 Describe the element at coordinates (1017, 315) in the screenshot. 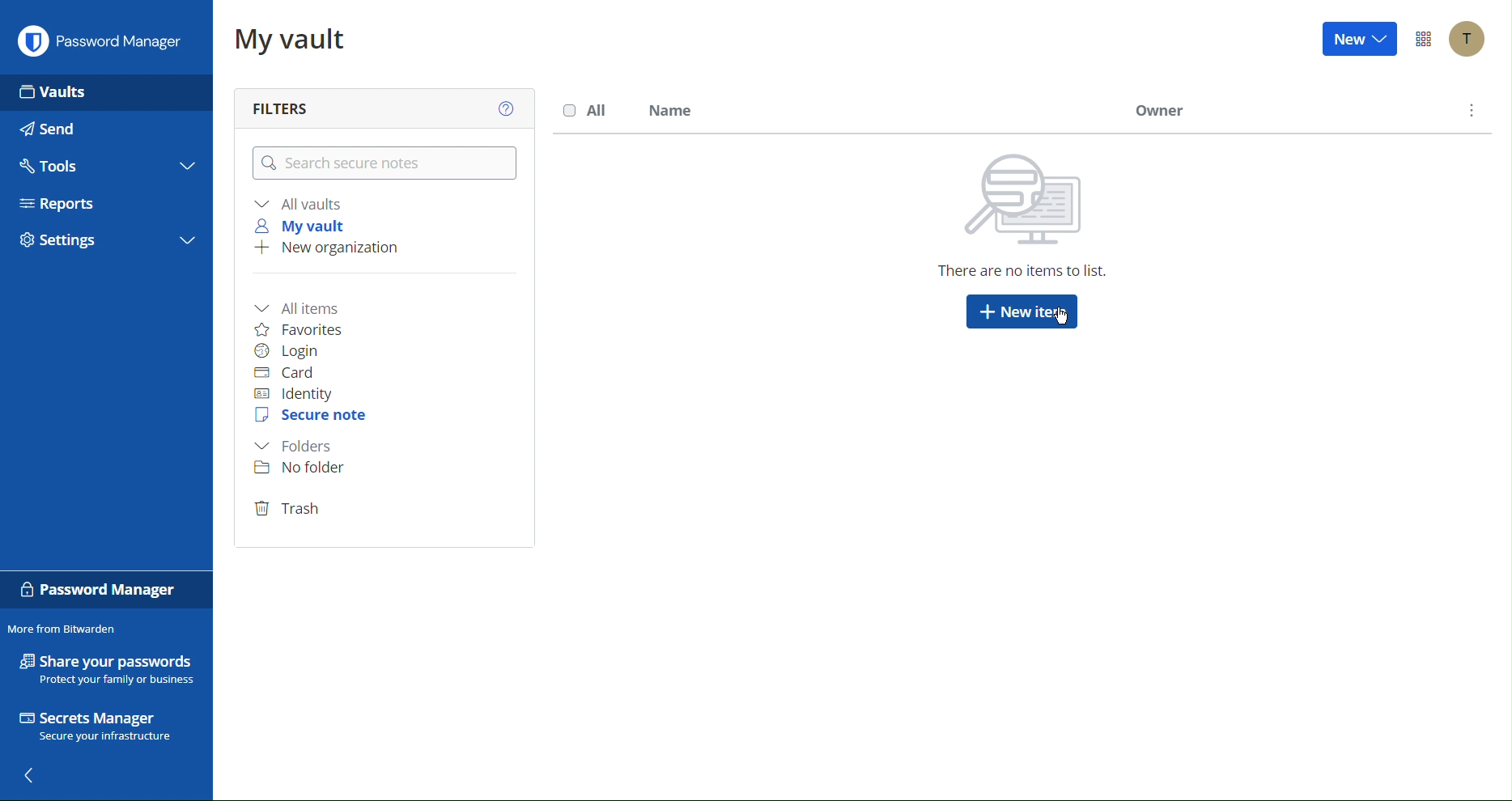

I see `New item` at that location.